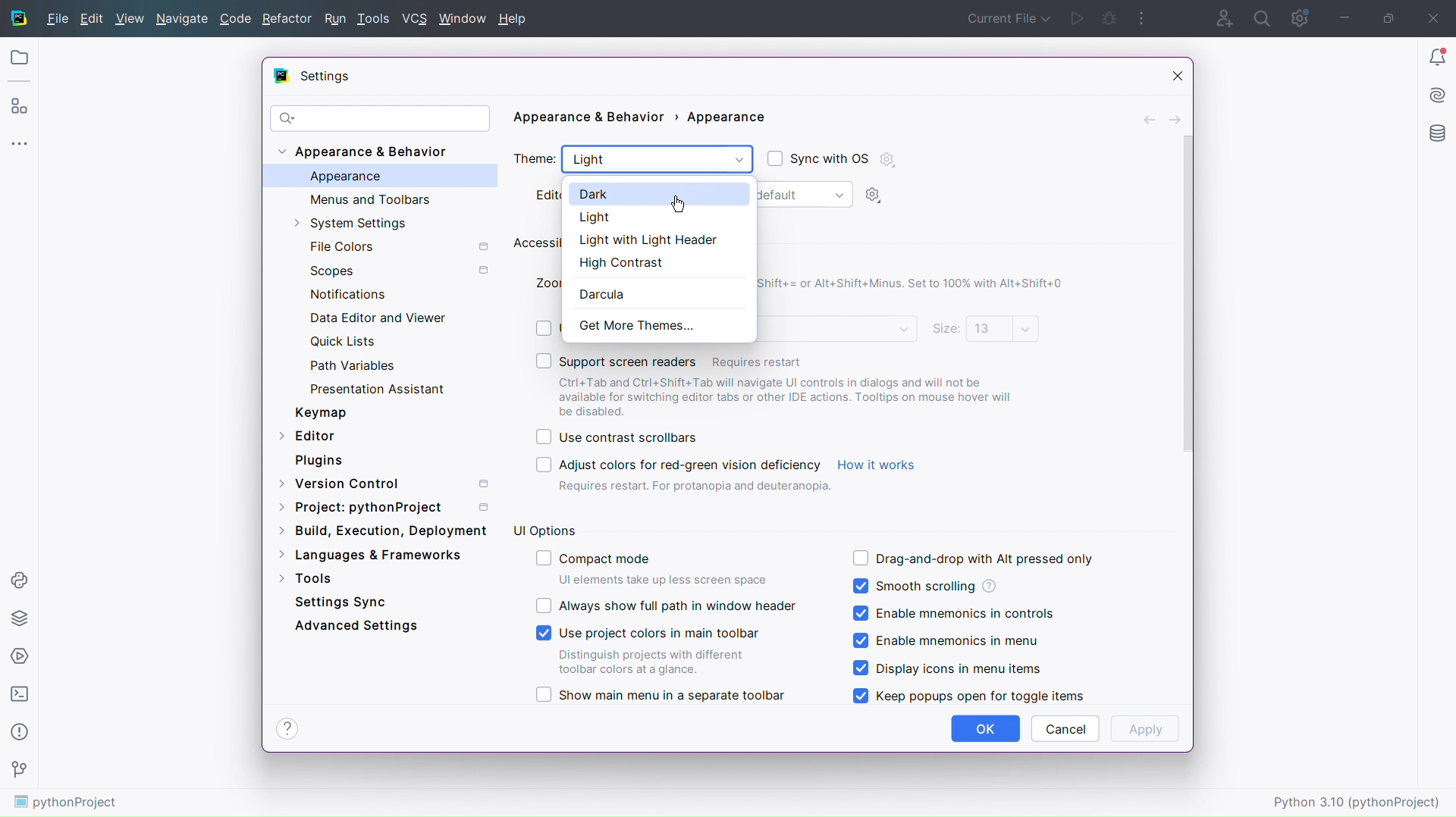 Image resolution: width=1456 pixels, height=817 pixels. What do you see at coordinates (1263, 17) in the screenshot?
I see `Search` at bounding box center [1263, 17].